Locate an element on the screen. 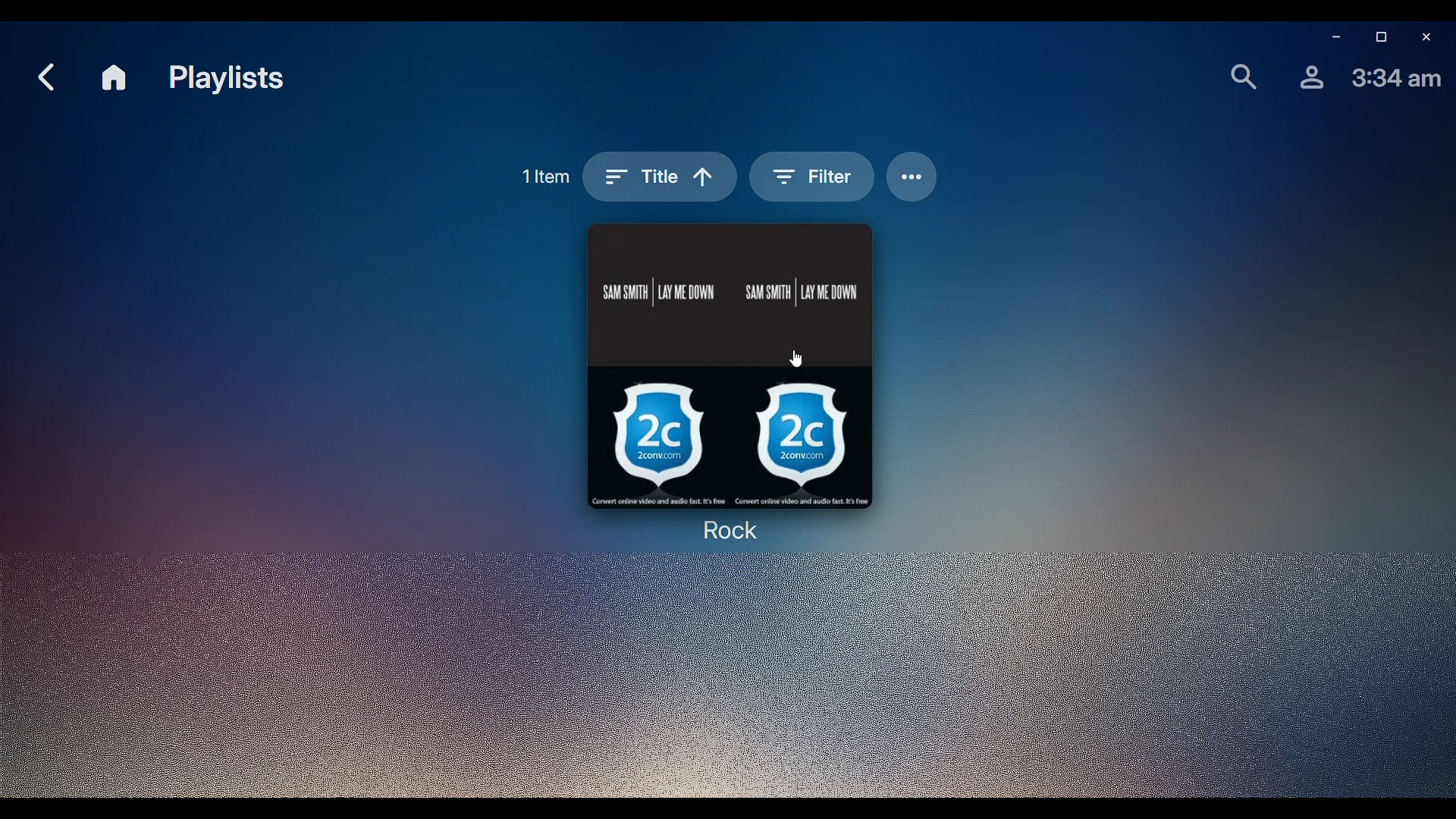 The width and height of the screenshot is (1456, 819). cursor is located at coordinates (802, 358).